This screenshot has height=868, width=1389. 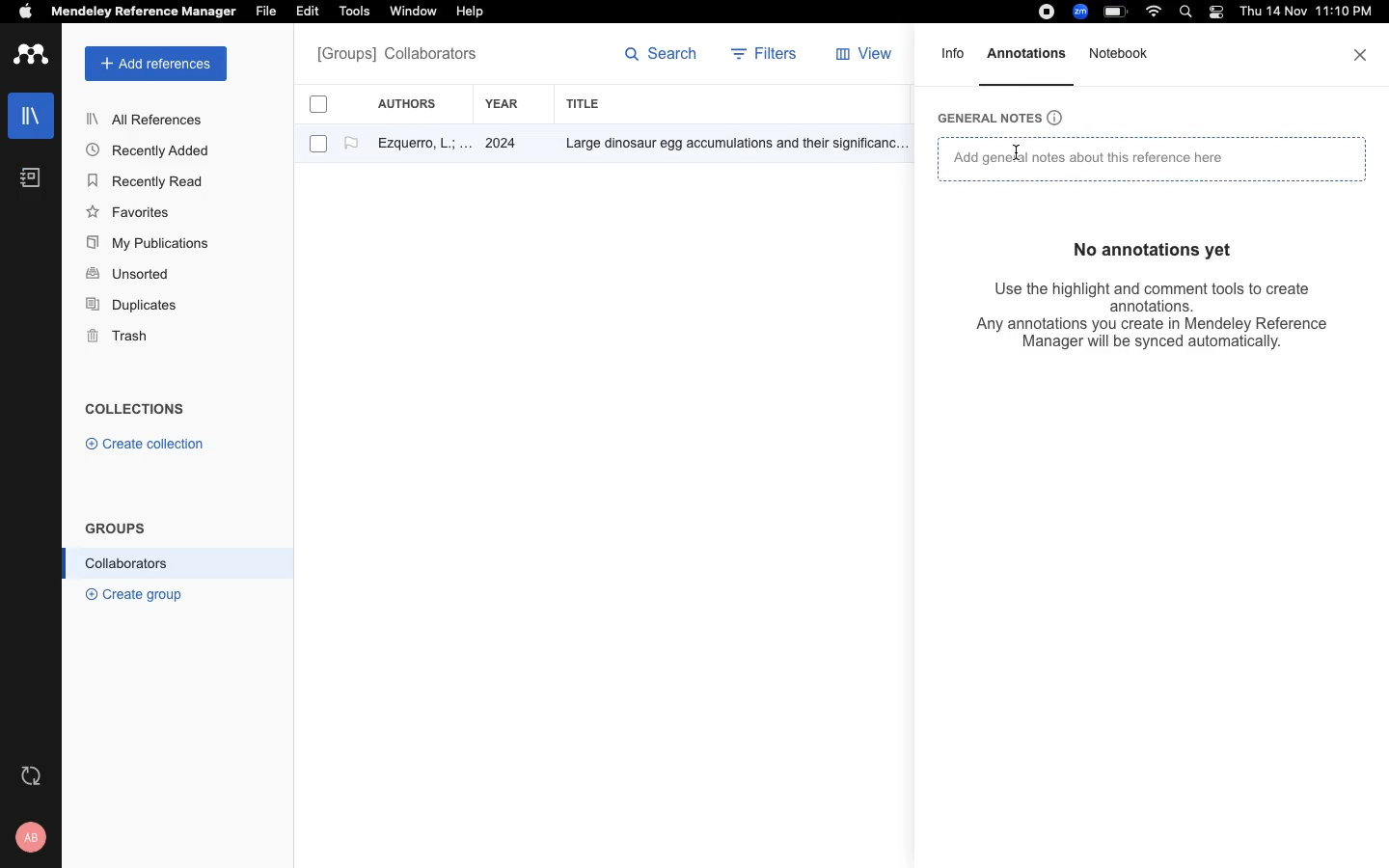 I want to click on libraries, so click(x=29, y=114).